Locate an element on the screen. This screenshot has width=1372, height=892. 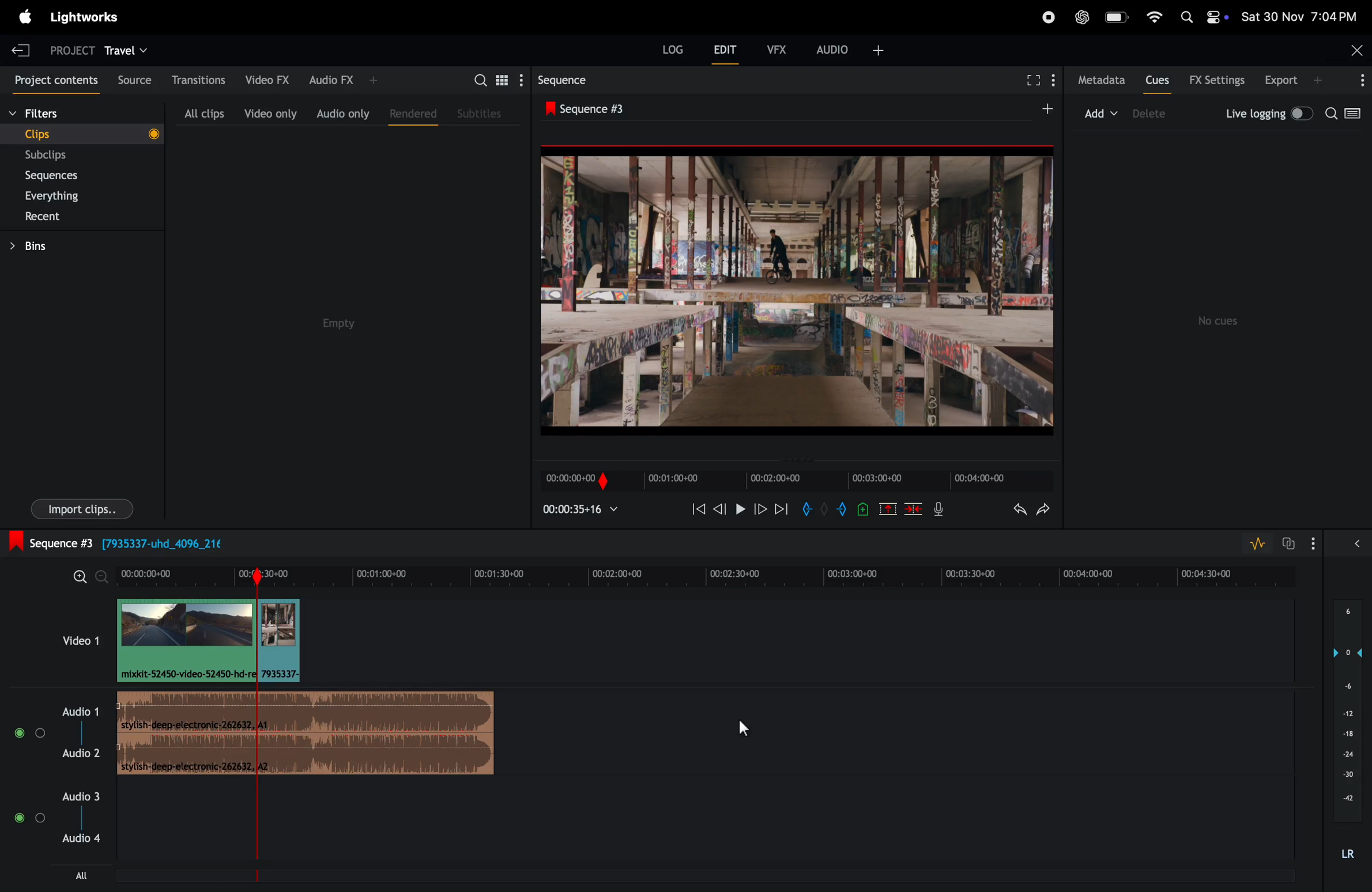
no cues is located at coordinates (1222, 321).